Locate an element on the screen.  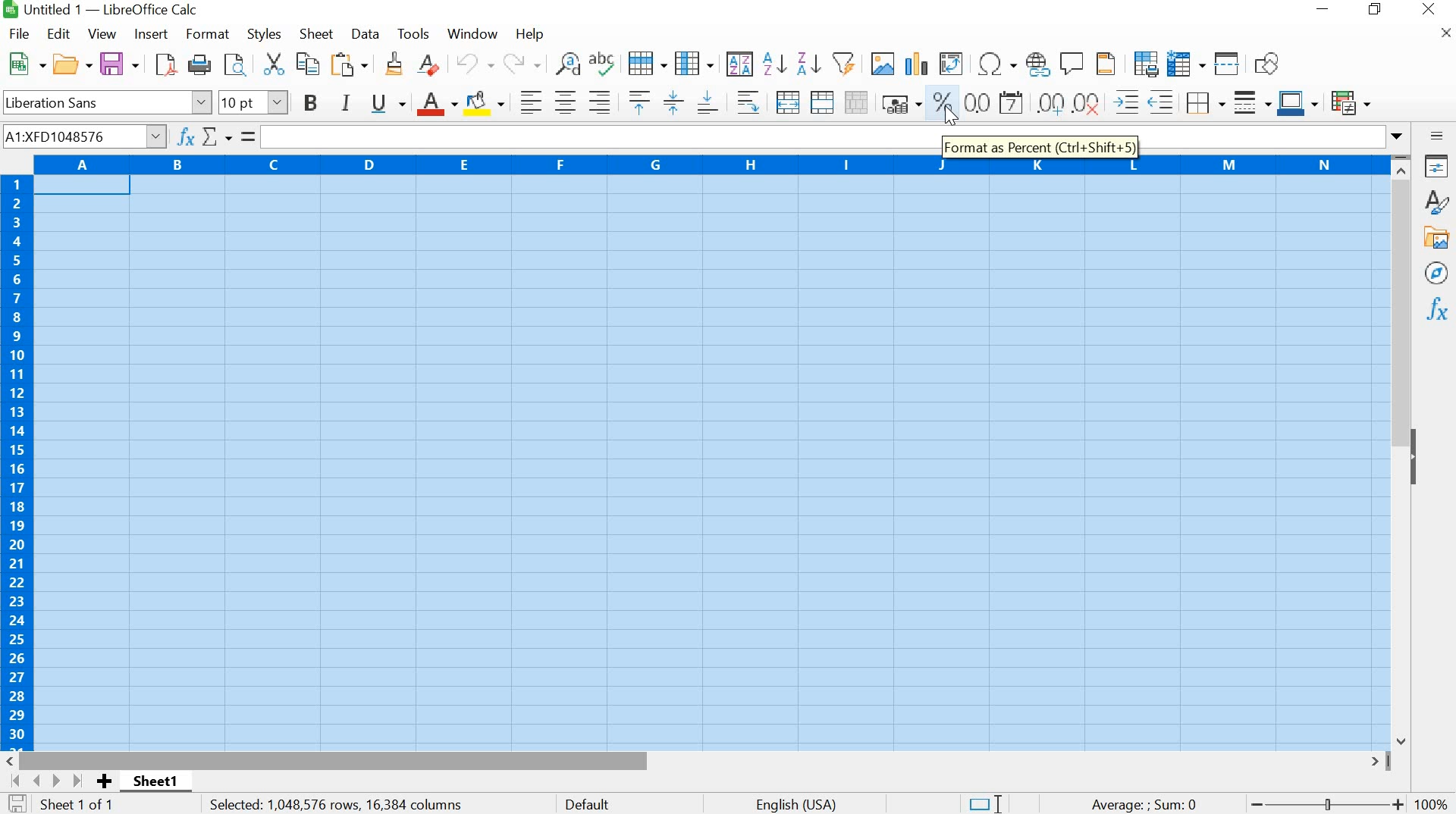
Selected: 1,048,576 rows, 16,384 columns is located at coordinates (337, 804).